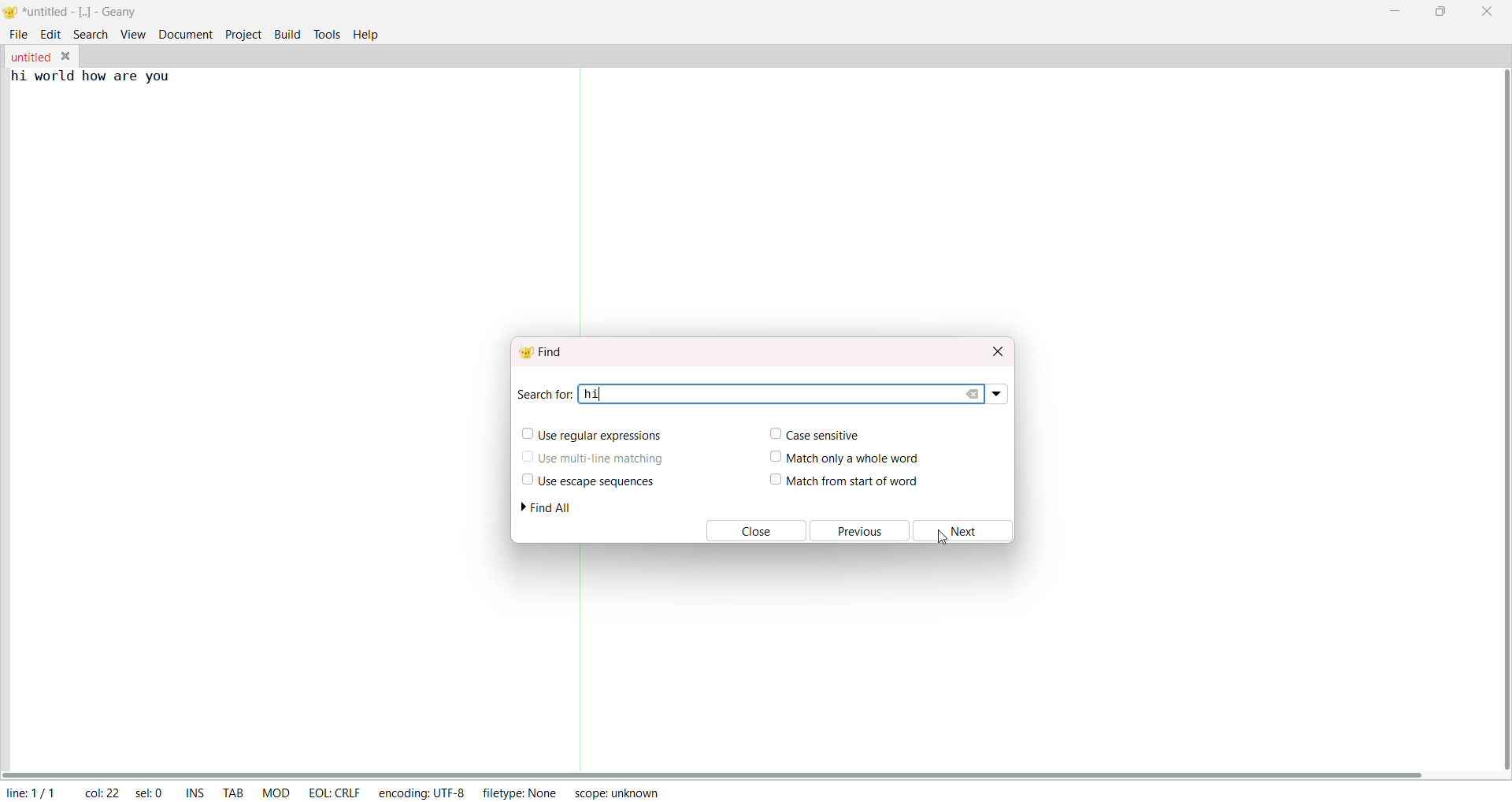  Describe the element at coordinates (748, 532) in the screenshot. I see `close` at that location.